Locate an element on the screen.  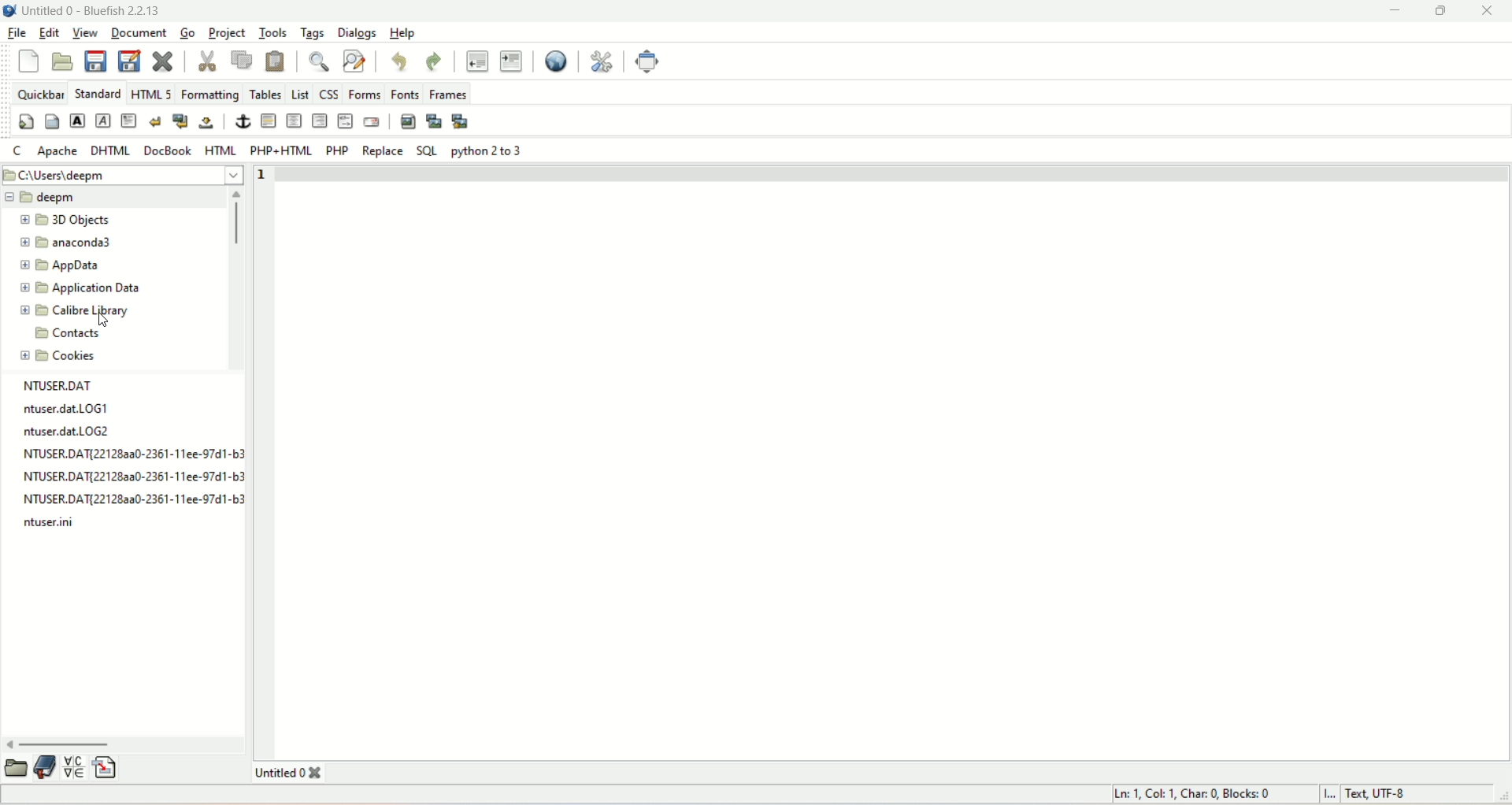
3D object is located at coordinates (60, 220).